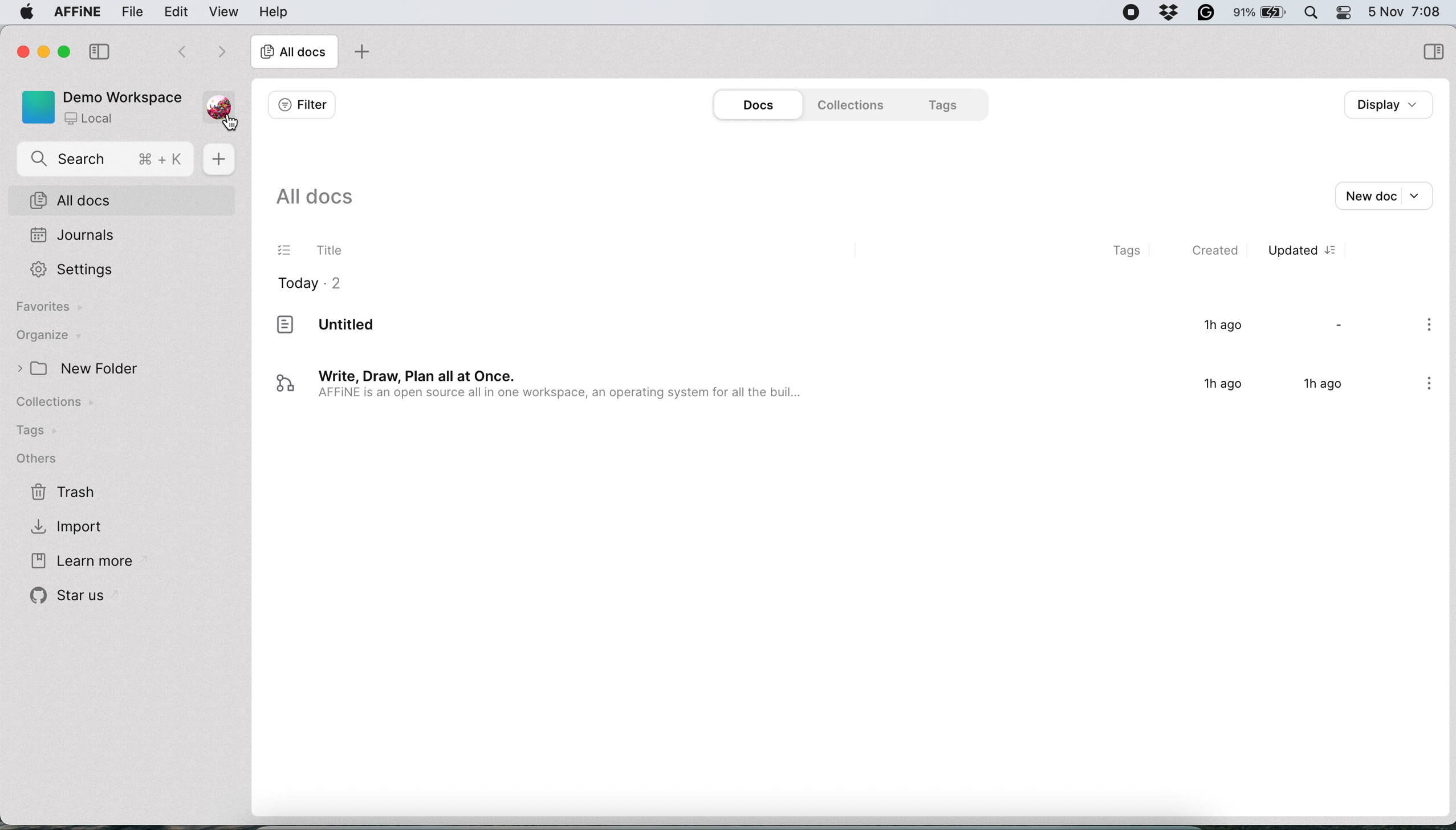 This screenshot has height=830, width=1456. What do you see at coordinates (40, 51) in the screenshot?
I see `minimise` at bounding box center [40, 51].